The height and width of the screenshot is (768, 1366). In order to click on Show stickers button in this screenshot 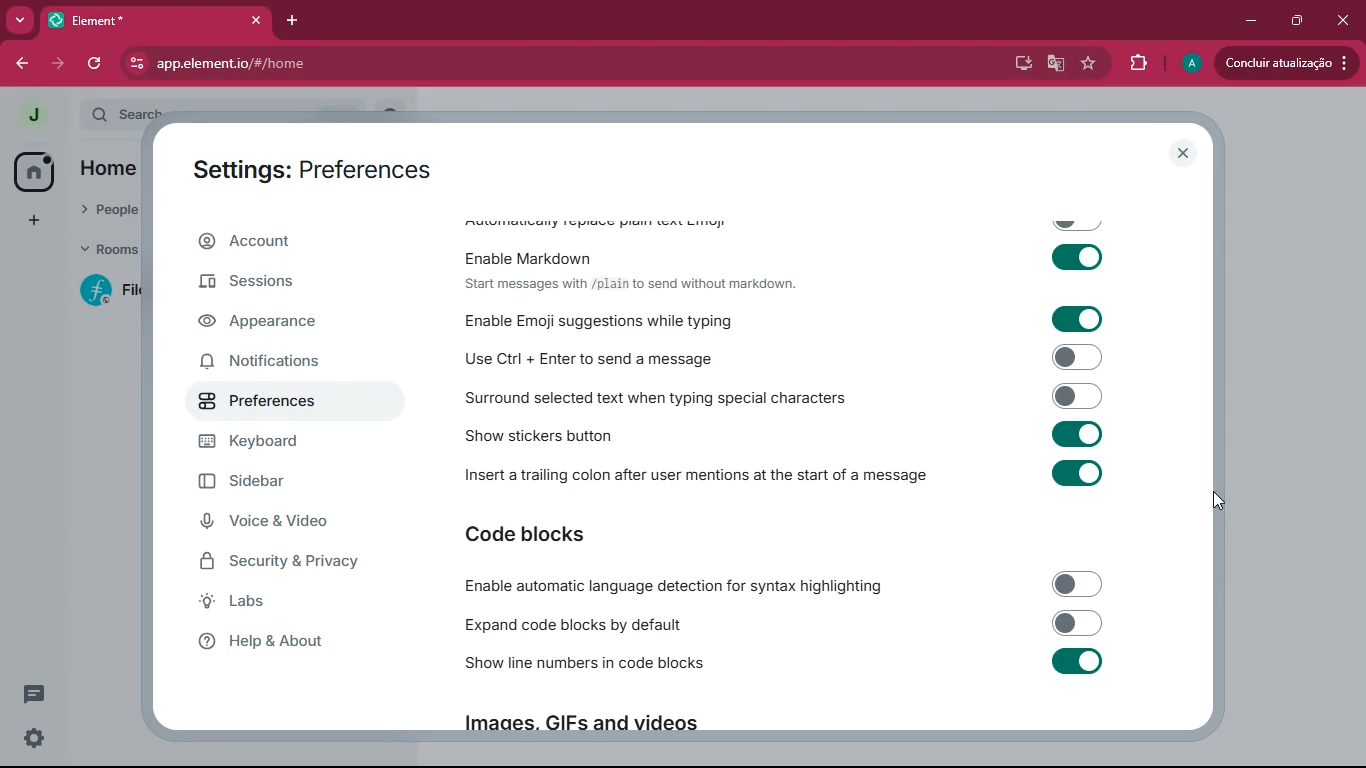, I will do `click(787, 435)`.